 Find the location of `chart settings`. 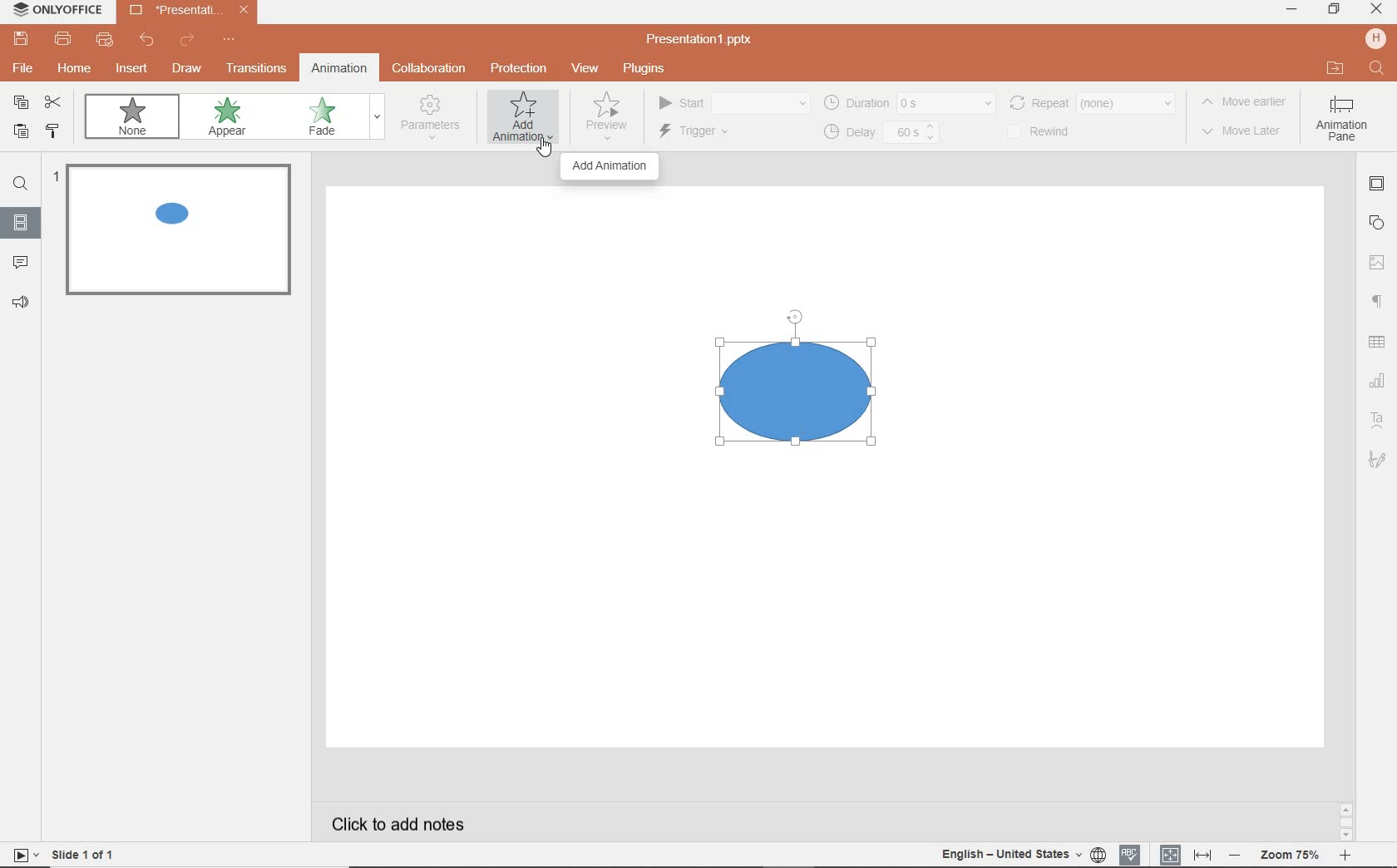

chart settings is located at coordinates (1377, 382).